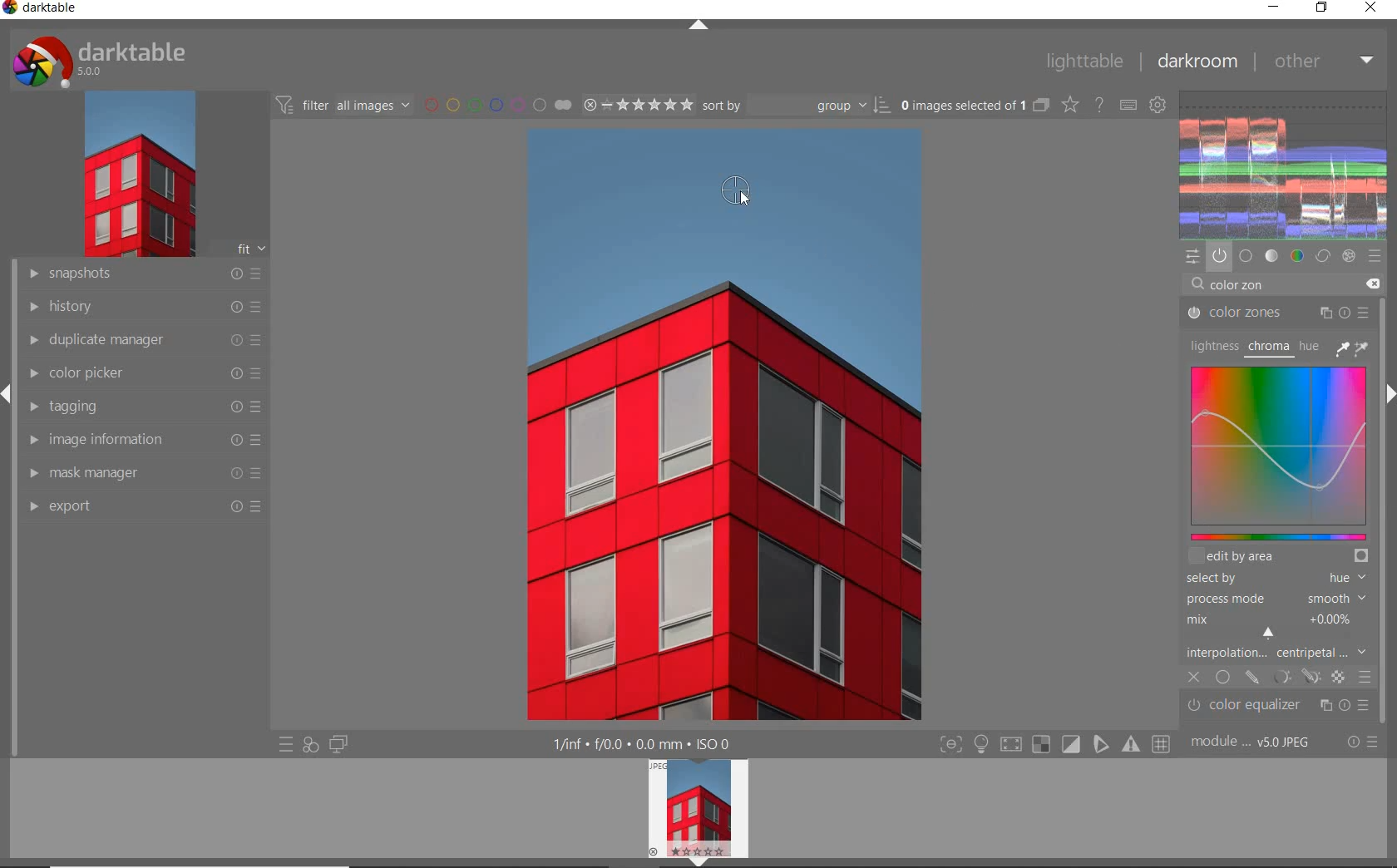 The image size is (1397, 868). What do you see at coordinates (1375, 254) in the screenshot?
I see `presets` at bounding box center [1375, 254].